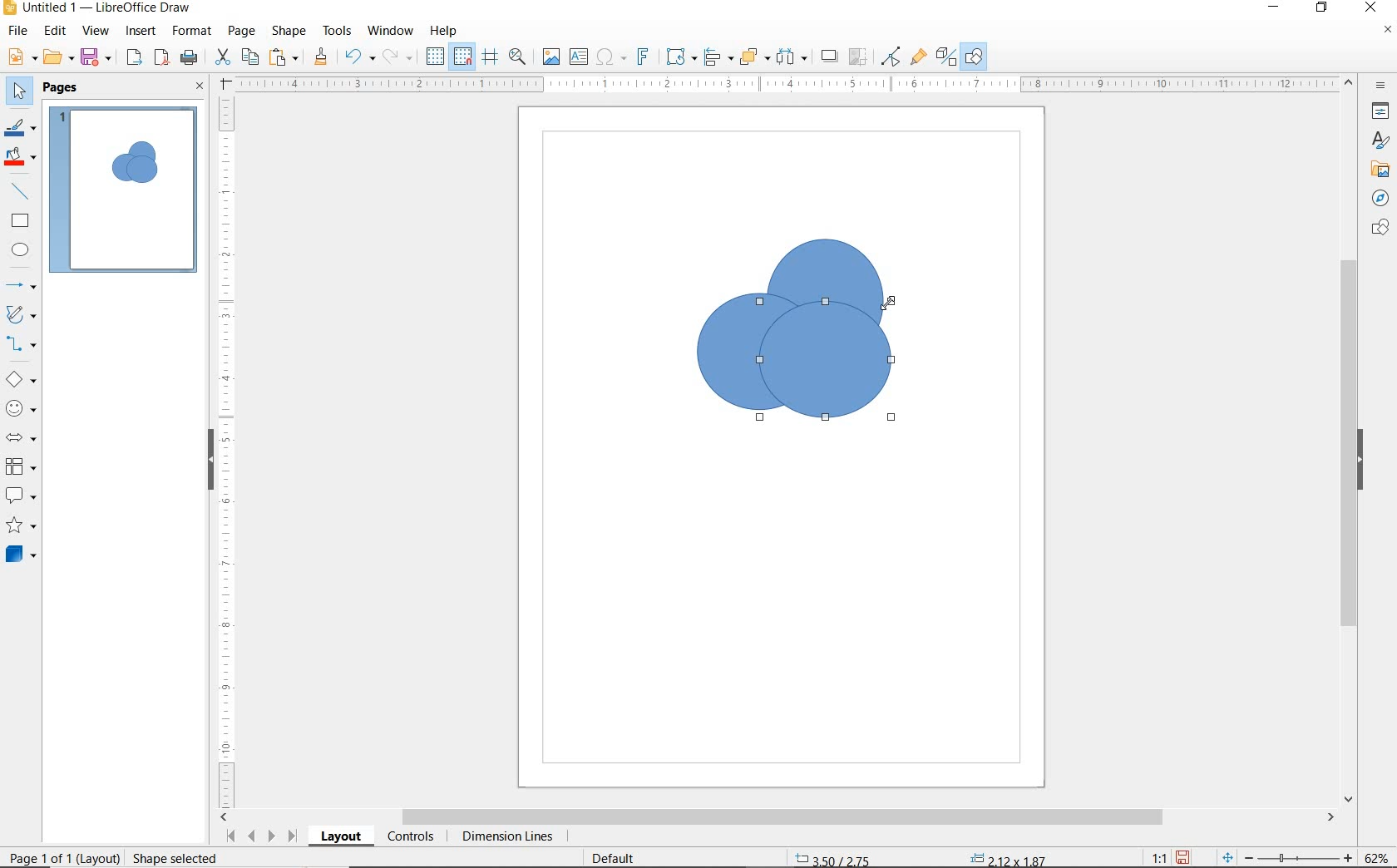 The width and height of the screenshot is (1397, 868). Describe the element at coordinates (146, 172) in the screenshot. I see `CIRCLE ADDED` at that location.